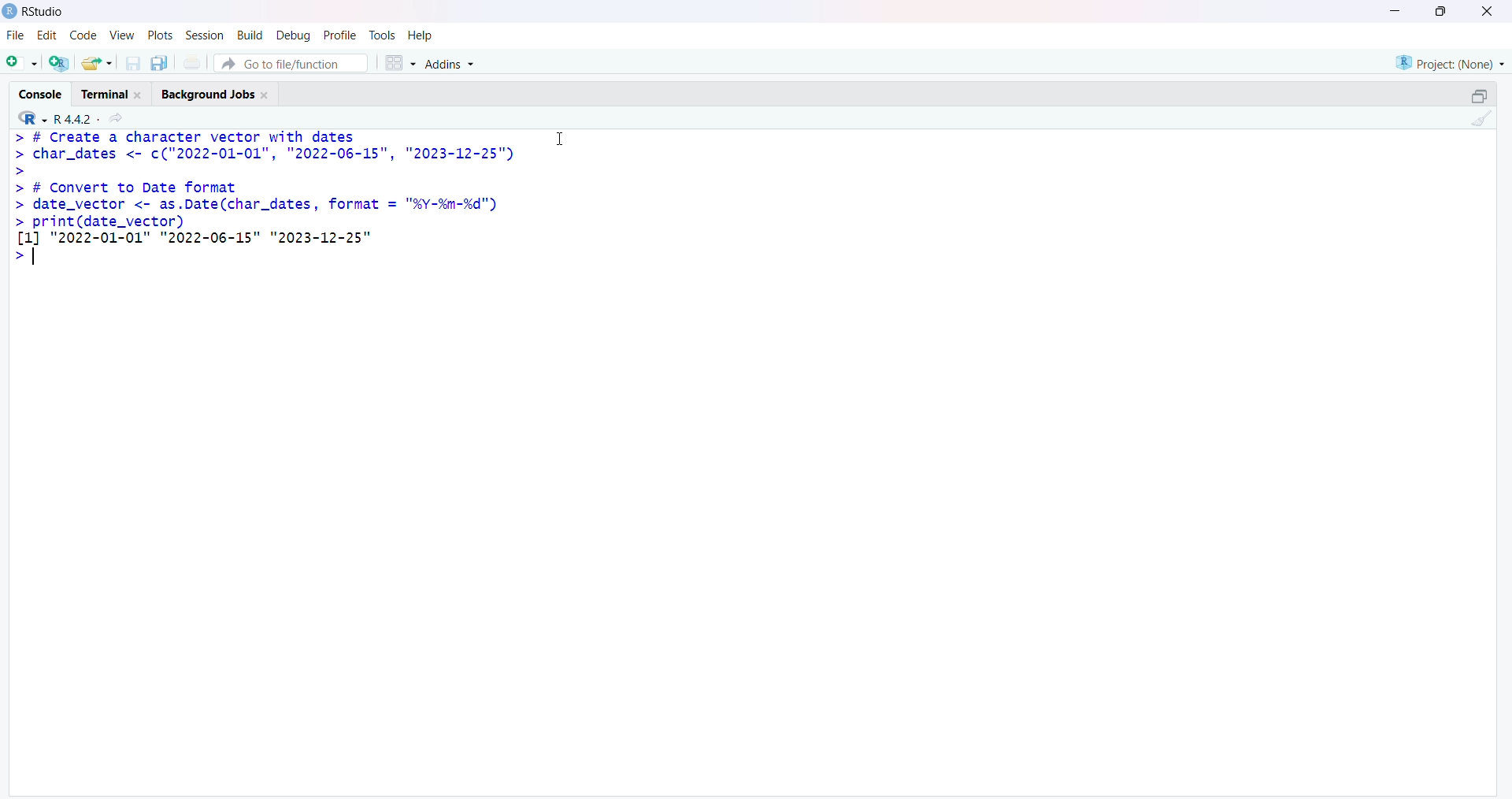  What do you see at coordinates (1479, 95) in the screenshot?
I see `Maximize/Restore` at bounding box center [1479, 95].